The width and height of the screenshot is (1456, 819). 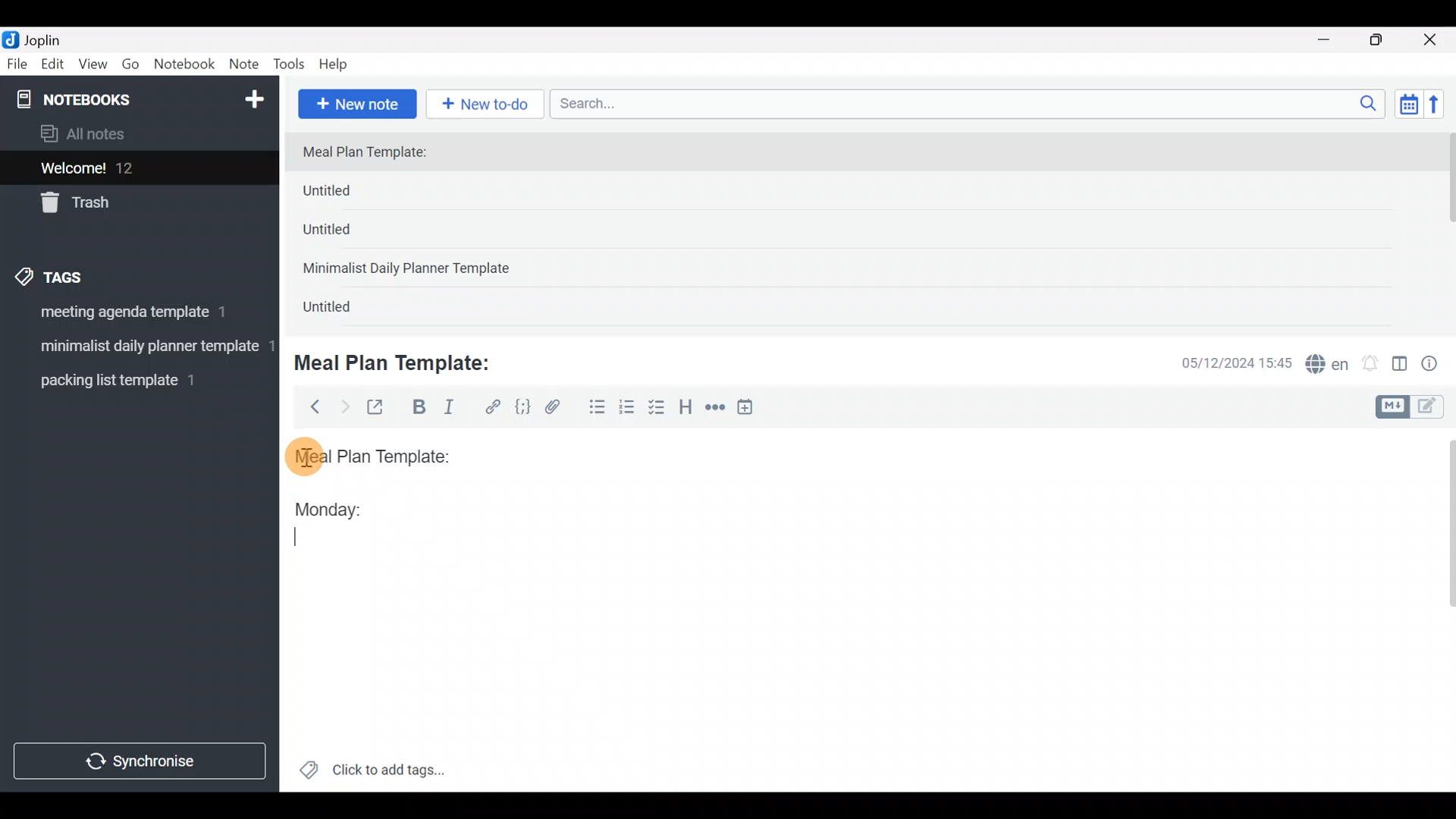 What do you see at coordinates (846, 659) in the screenshot?
I see `Text editor` at bounding box center [846, 659].